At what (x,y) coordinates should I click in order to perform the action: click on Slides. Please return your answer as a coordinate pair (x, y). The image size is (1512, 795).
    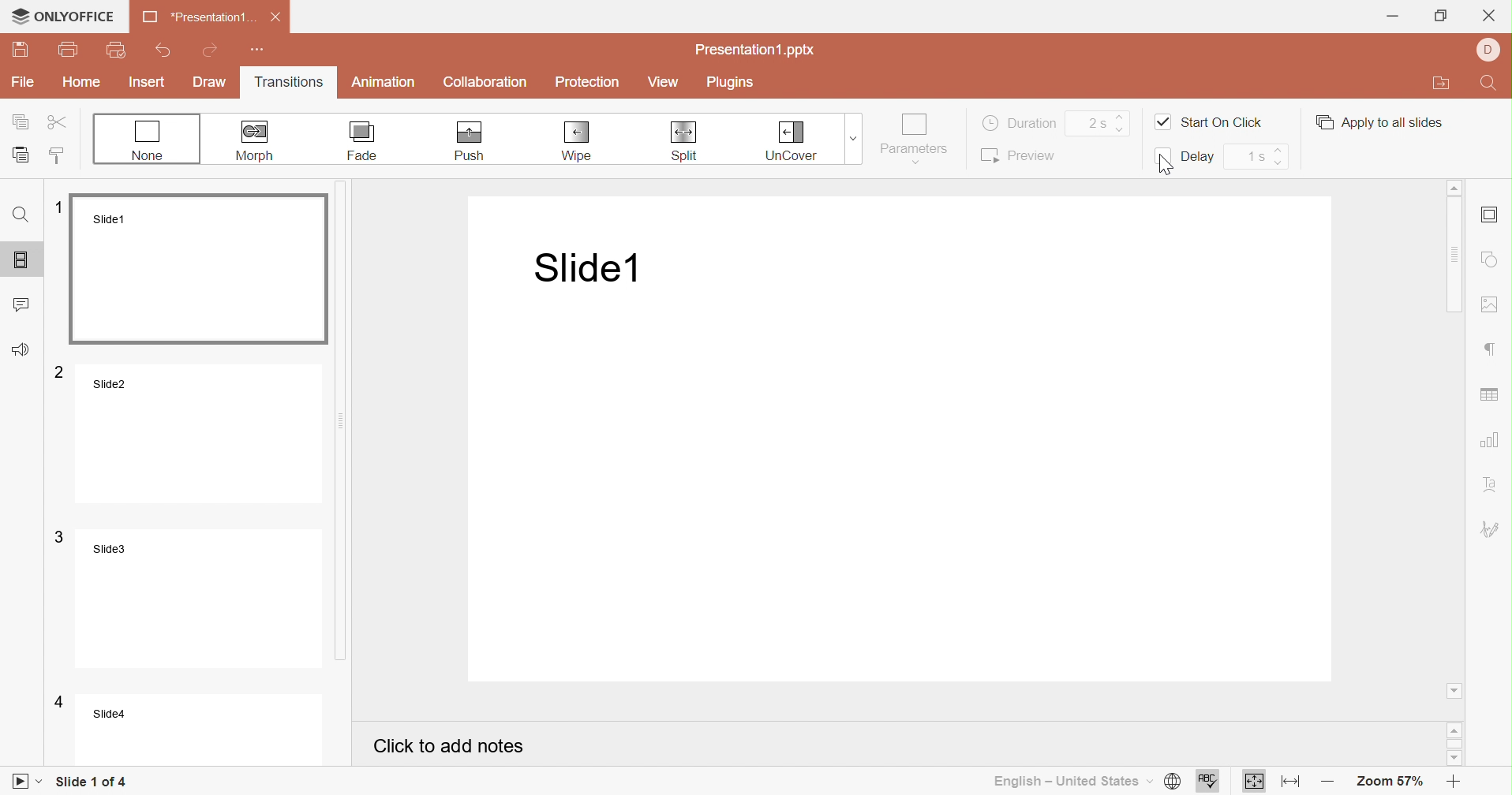
    Looking at the image, I should click on (20, 259).